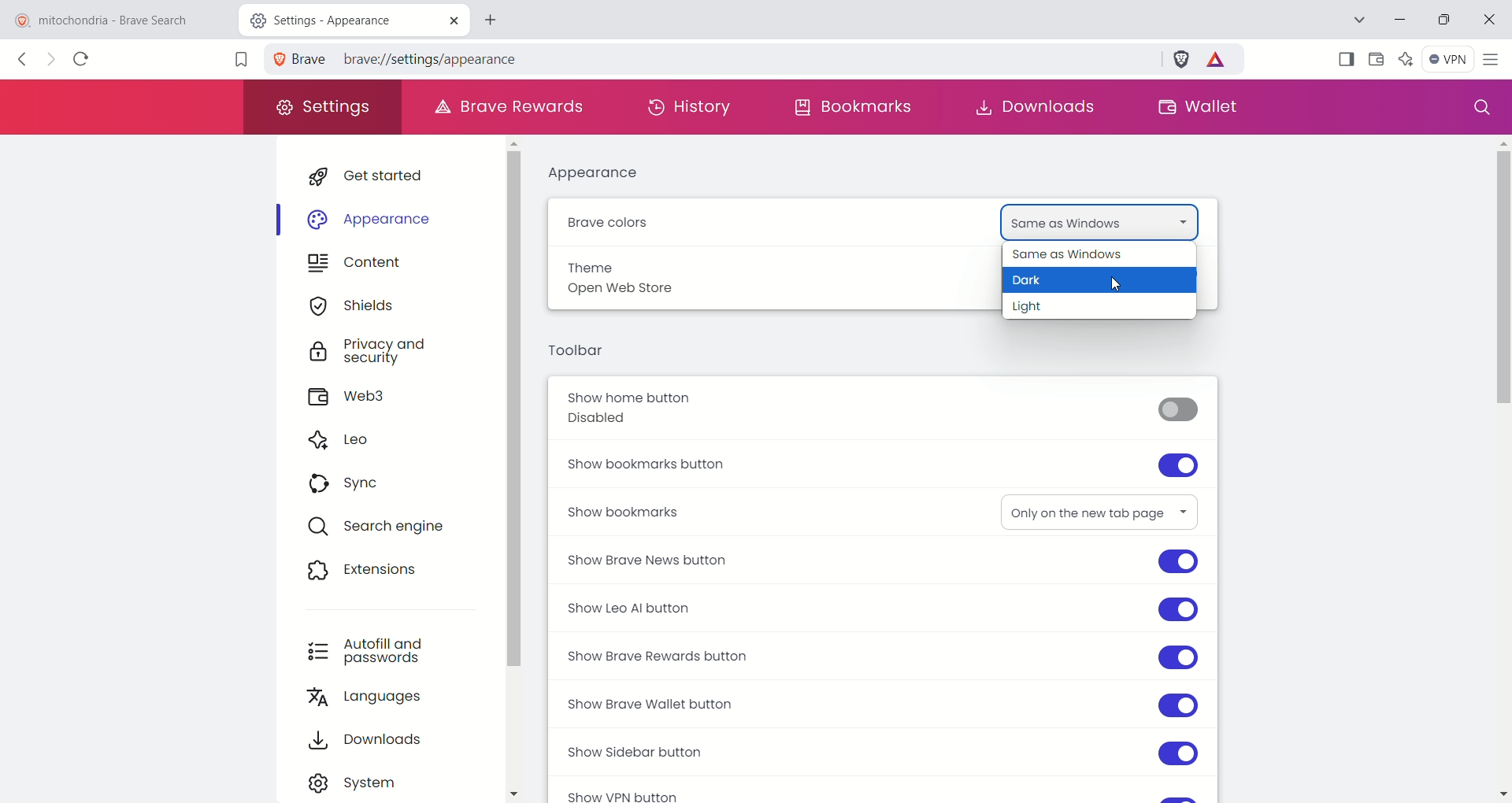 The height and width of the screenshot is (803, 1512). Describe the element at coordinates (887, 608) in the screenshot. I see `show leo AI button` at that location.